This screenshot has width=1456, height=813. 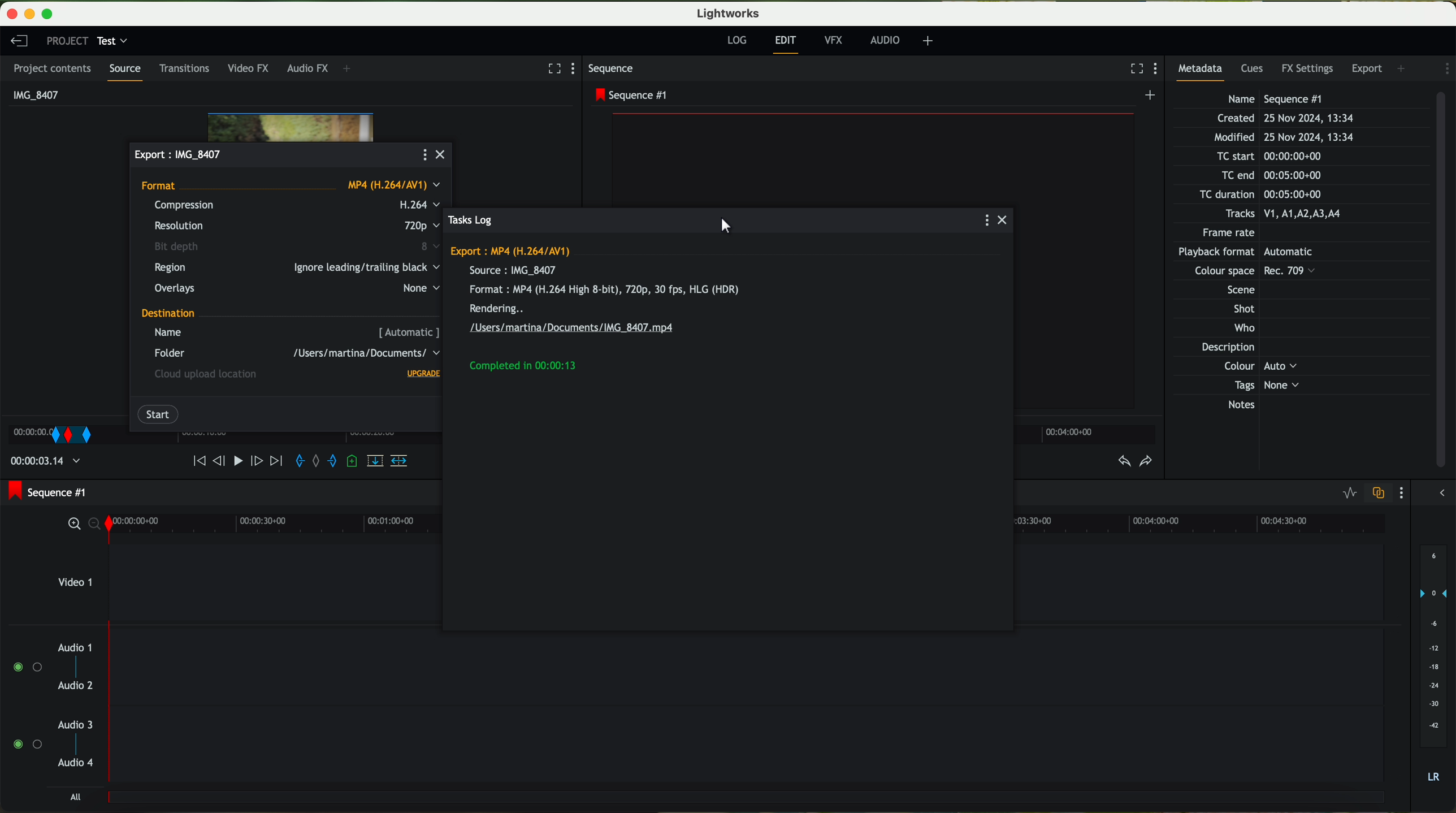 I want to click on add an out mark, so click(x=332, y=464).